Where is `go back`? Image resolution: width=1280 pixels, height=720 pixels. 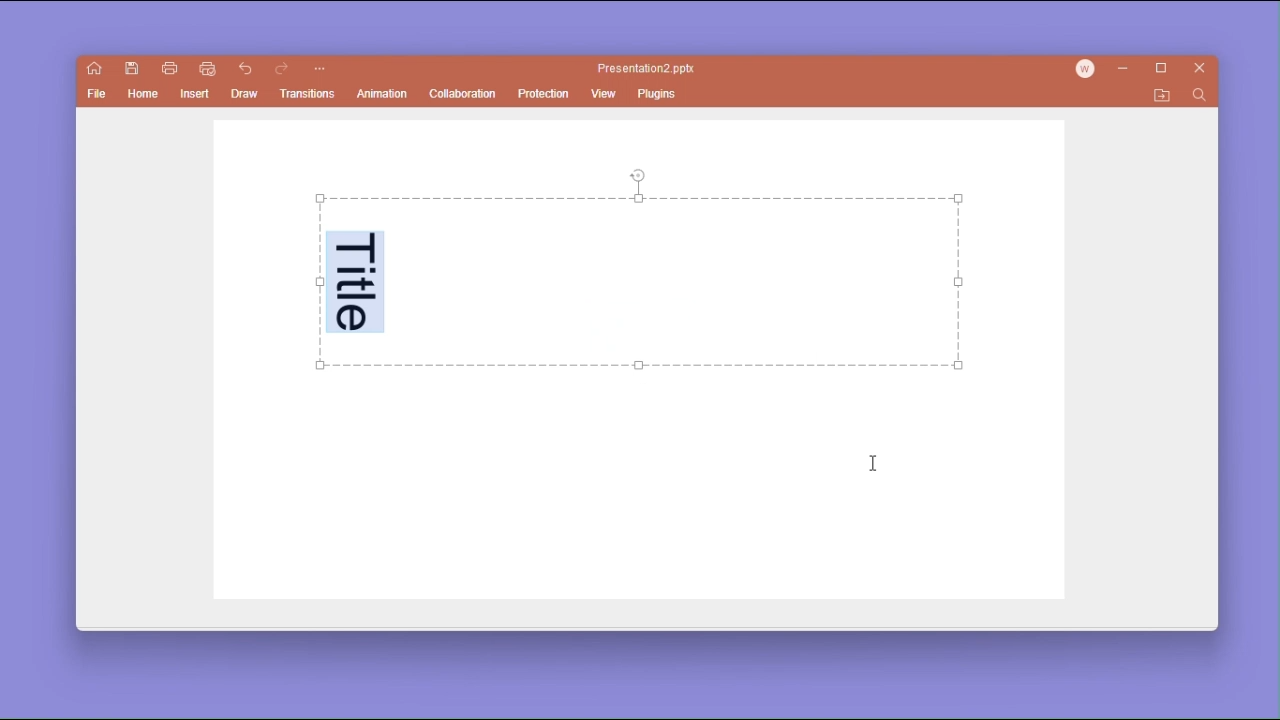
go back is located at coordinates (246, 70).